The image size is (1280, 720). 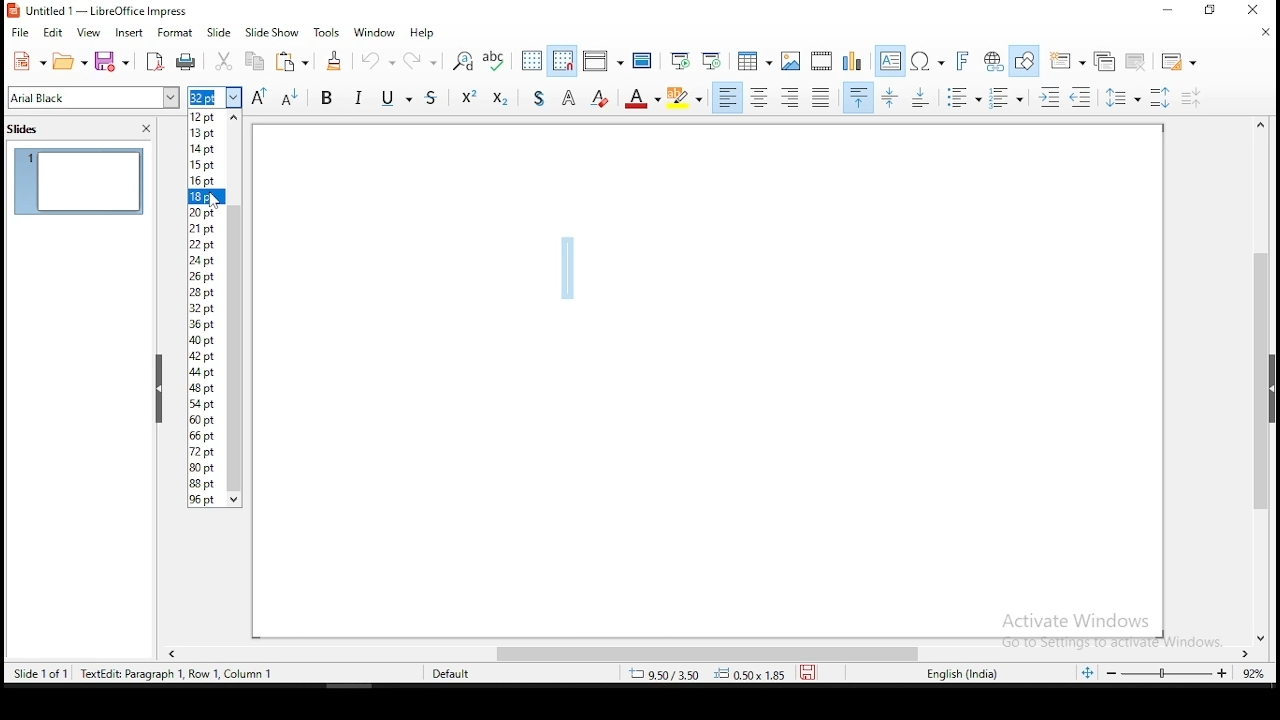 I want to click on master slide, so click(x=643, y=59).